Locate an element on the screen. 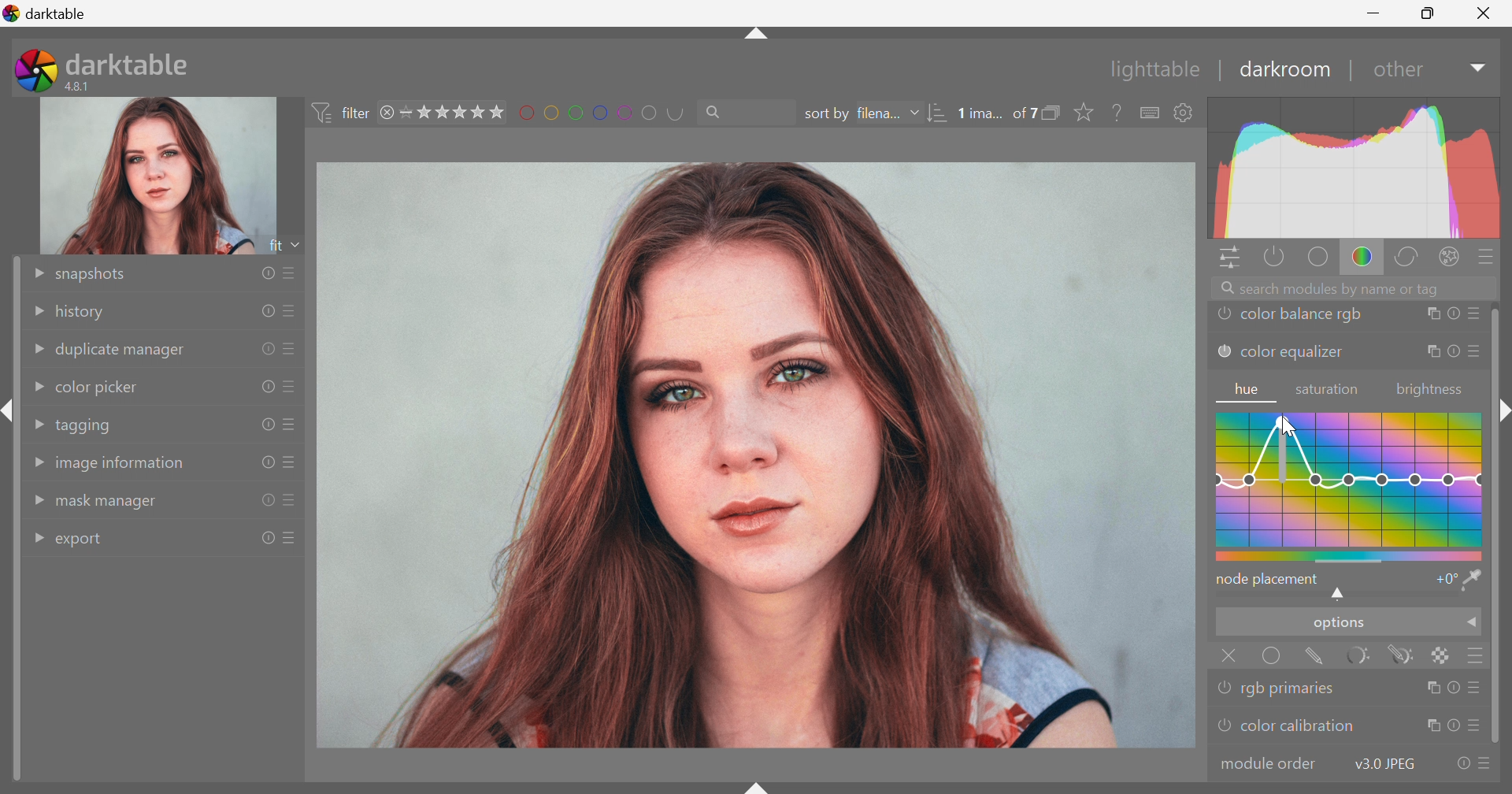 Image resolution: width=1512 pixels, height=794 pixels. hue is located at coordinates (1248, 390).